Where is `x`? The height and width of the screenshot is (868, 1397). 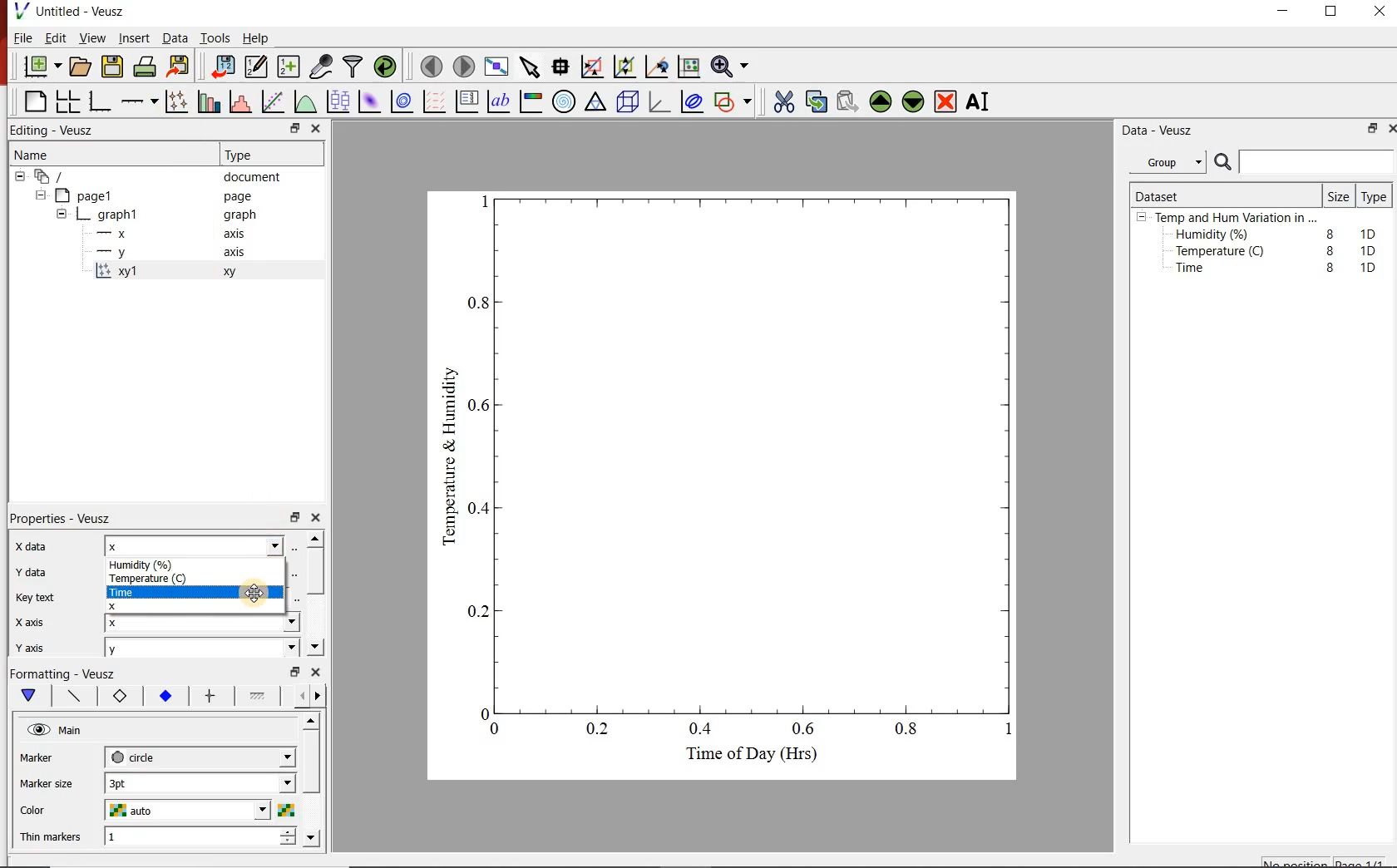
x is located at coordinates (138, 623).